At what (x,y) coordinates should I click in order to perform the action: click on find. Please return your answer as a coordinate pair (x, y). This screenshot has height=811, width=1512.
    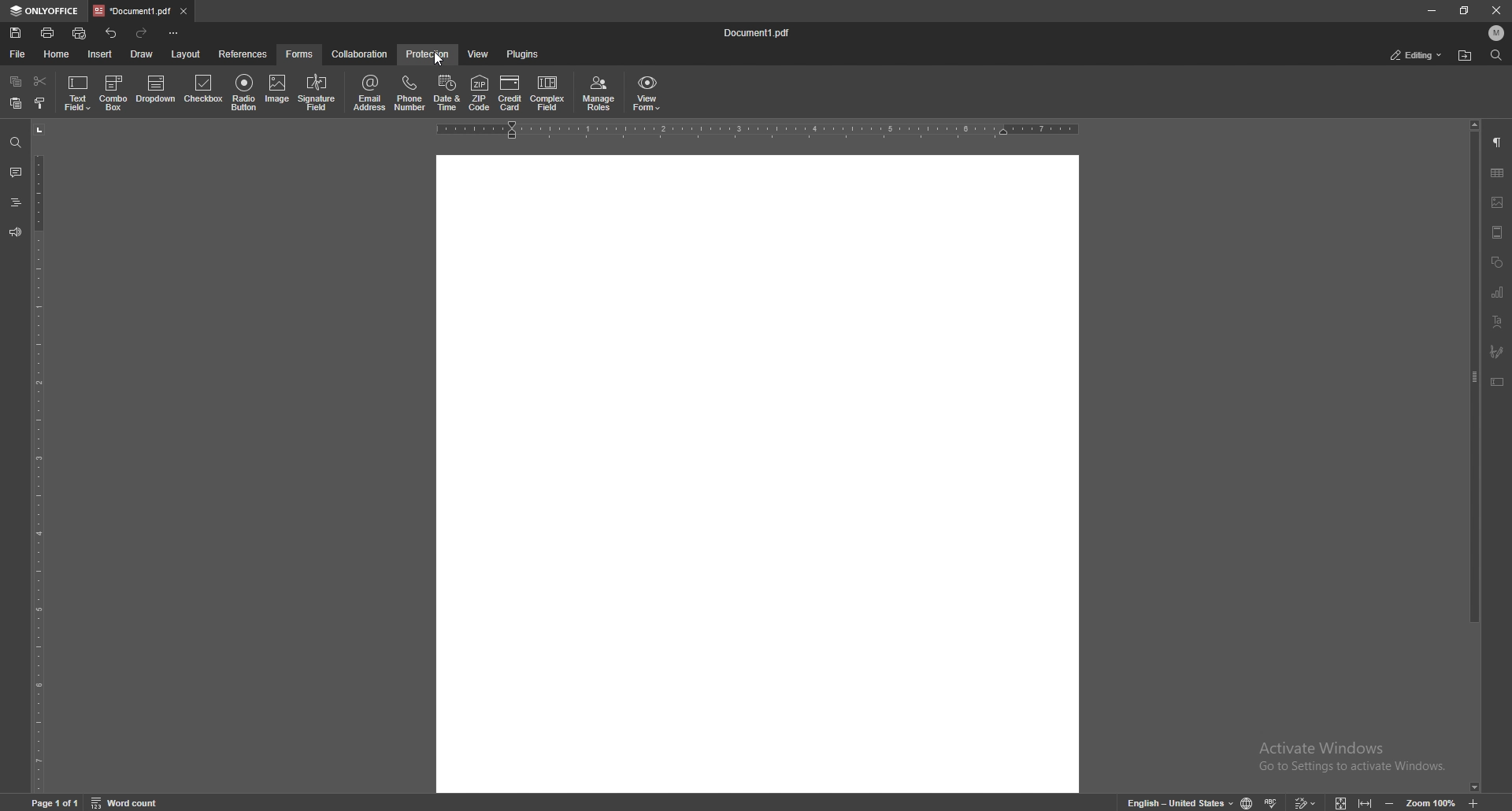
    Looking at the image, I should click on (16, 143).